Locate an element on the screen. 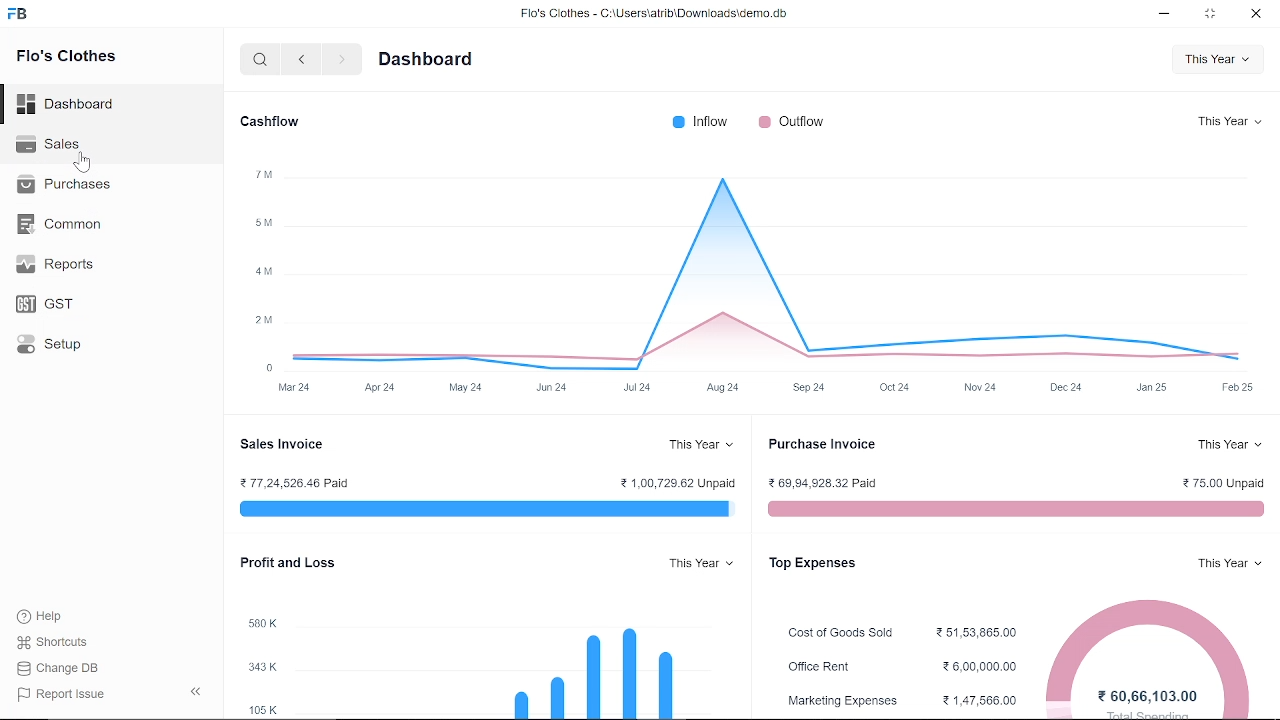  This Year v is located at coordinates (699, 564).